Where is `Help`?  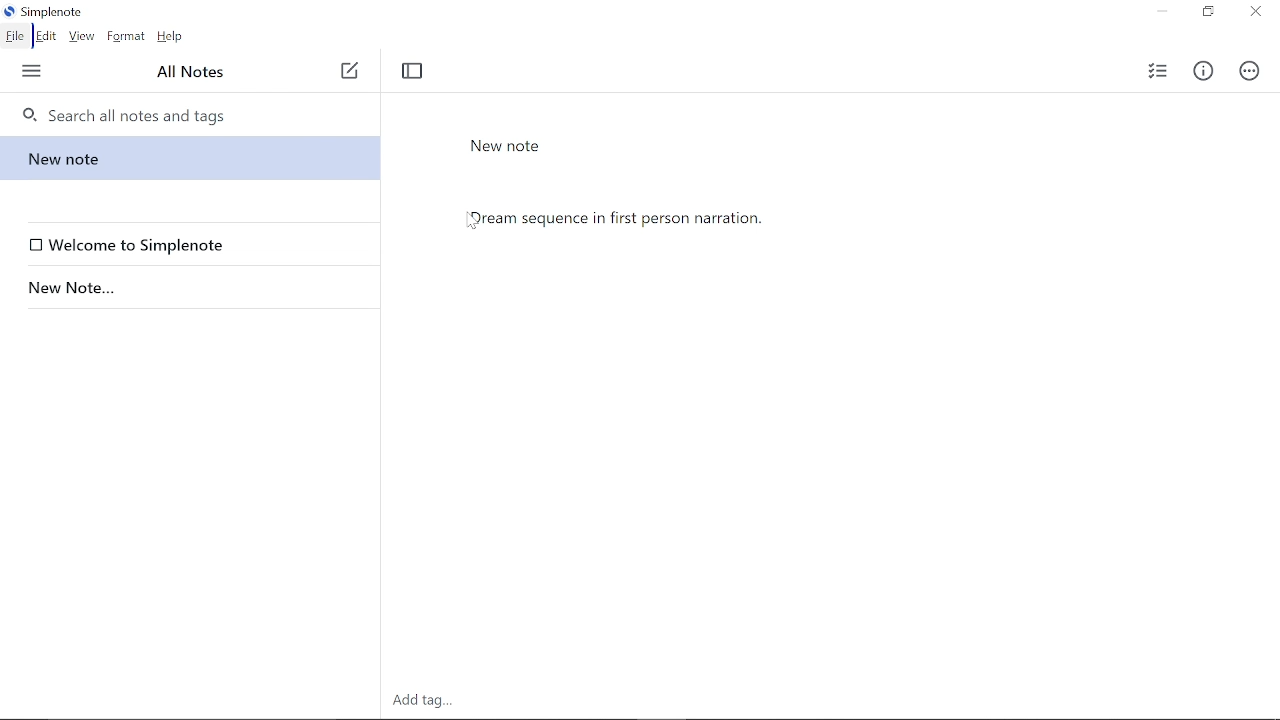
Help is located at coordinates (171, 36).